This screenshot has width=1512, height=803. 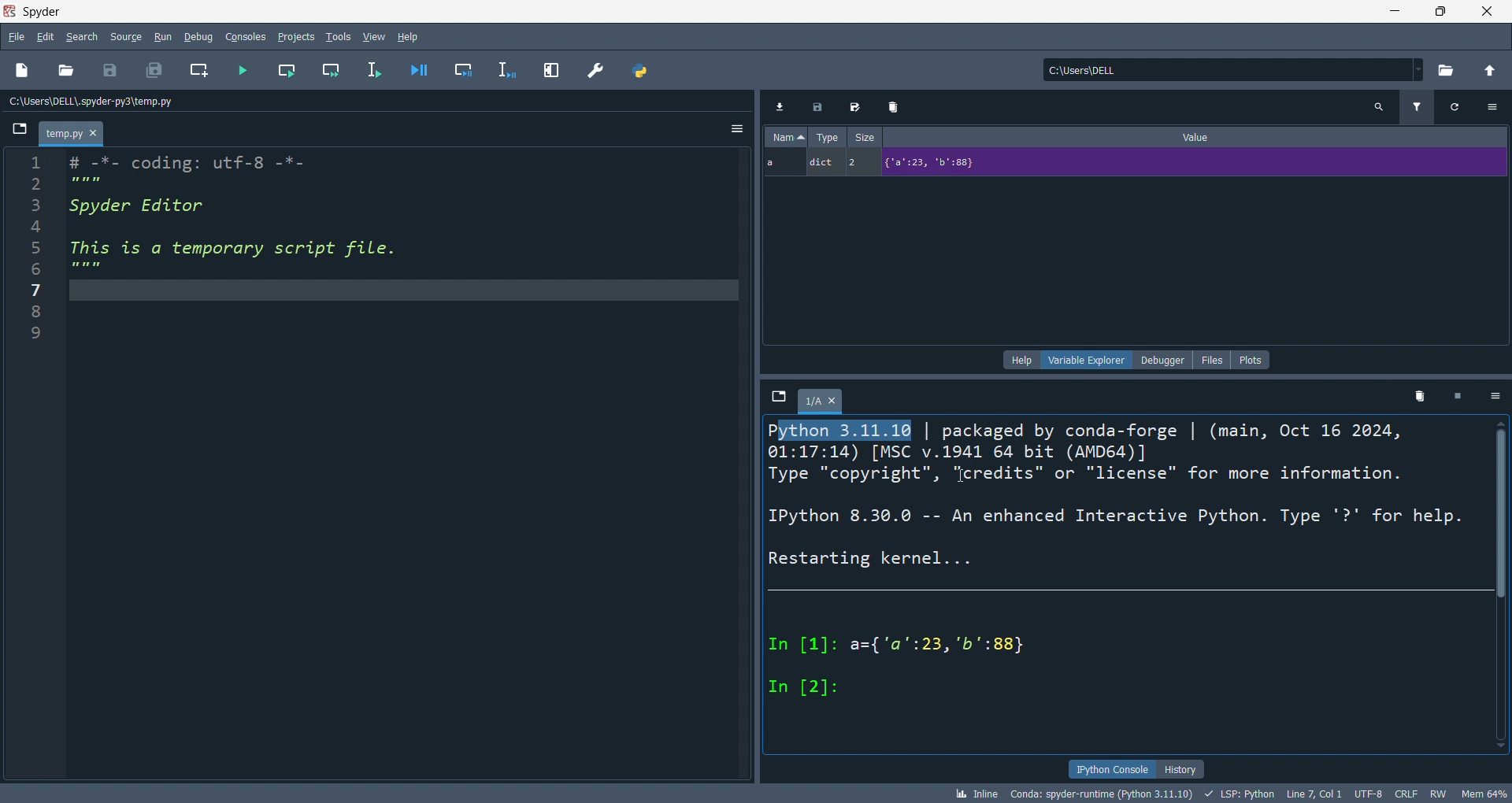 I want to click on search, so click(x=1381, y=107).